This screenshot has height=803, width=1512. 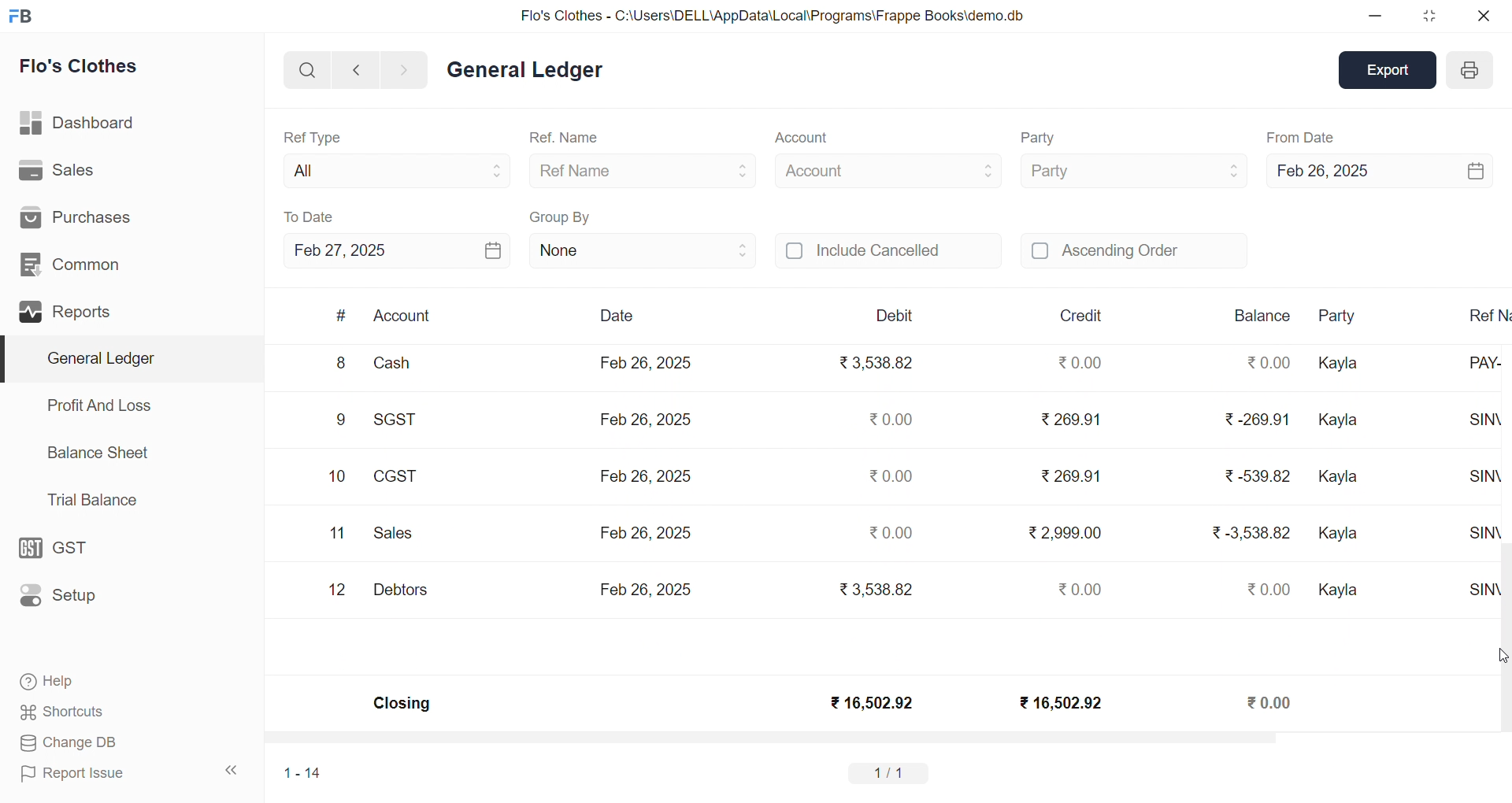 What do you see at coordinates (1301, 137) in the screenshot?
I see `From Date` at bounding box center [1301, 137].